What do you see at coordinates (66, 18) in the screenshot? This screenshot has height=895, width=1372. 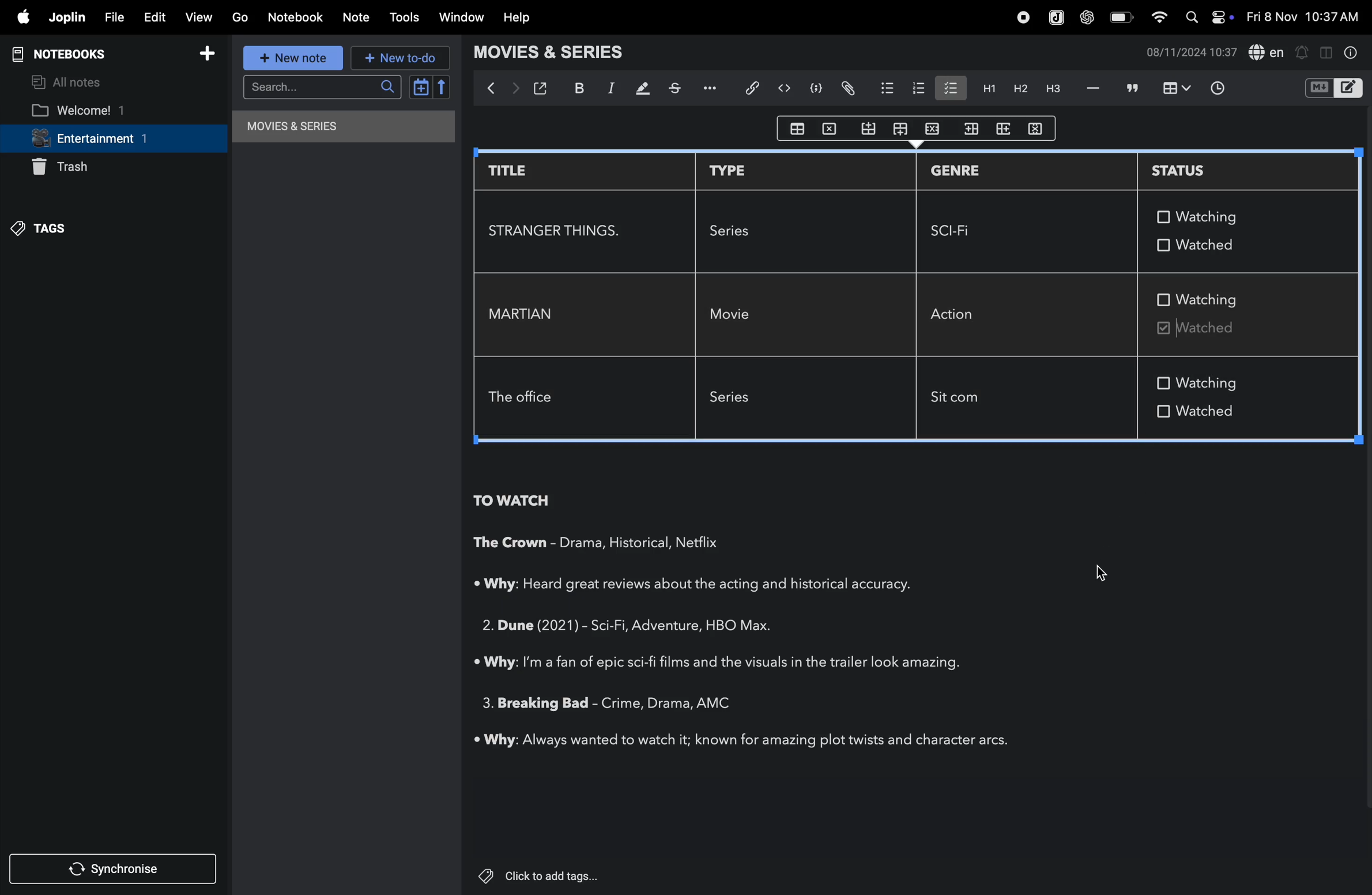 I see `joplin` at bounding box center [66, 18].